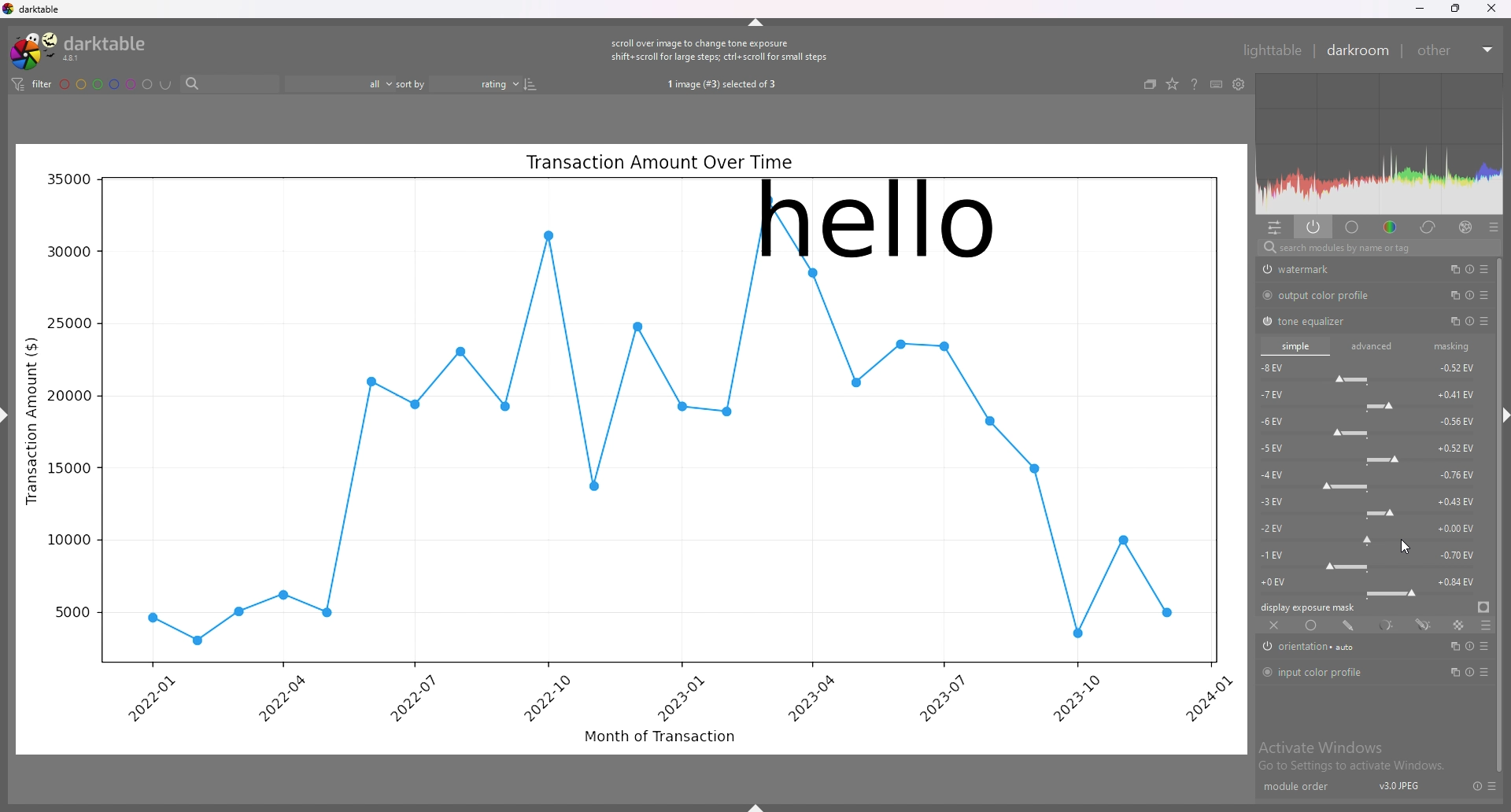  I want to click on expand/collapse , so click(1487, 50).